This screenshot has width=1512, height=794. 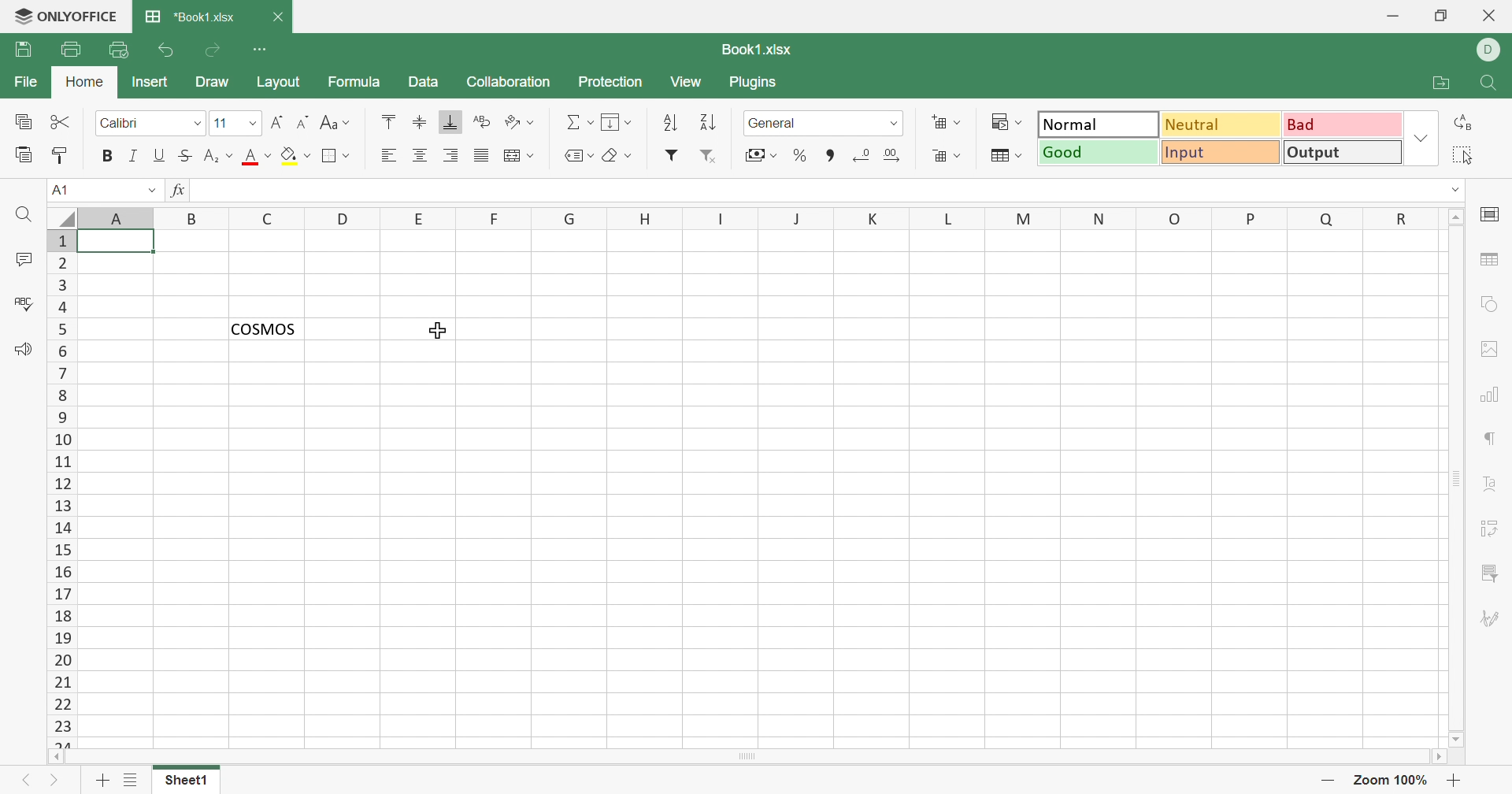 What do you see at coordinates (254, 122) in the screenshot?
I see `Drop down` at bounding box center [254, 122].